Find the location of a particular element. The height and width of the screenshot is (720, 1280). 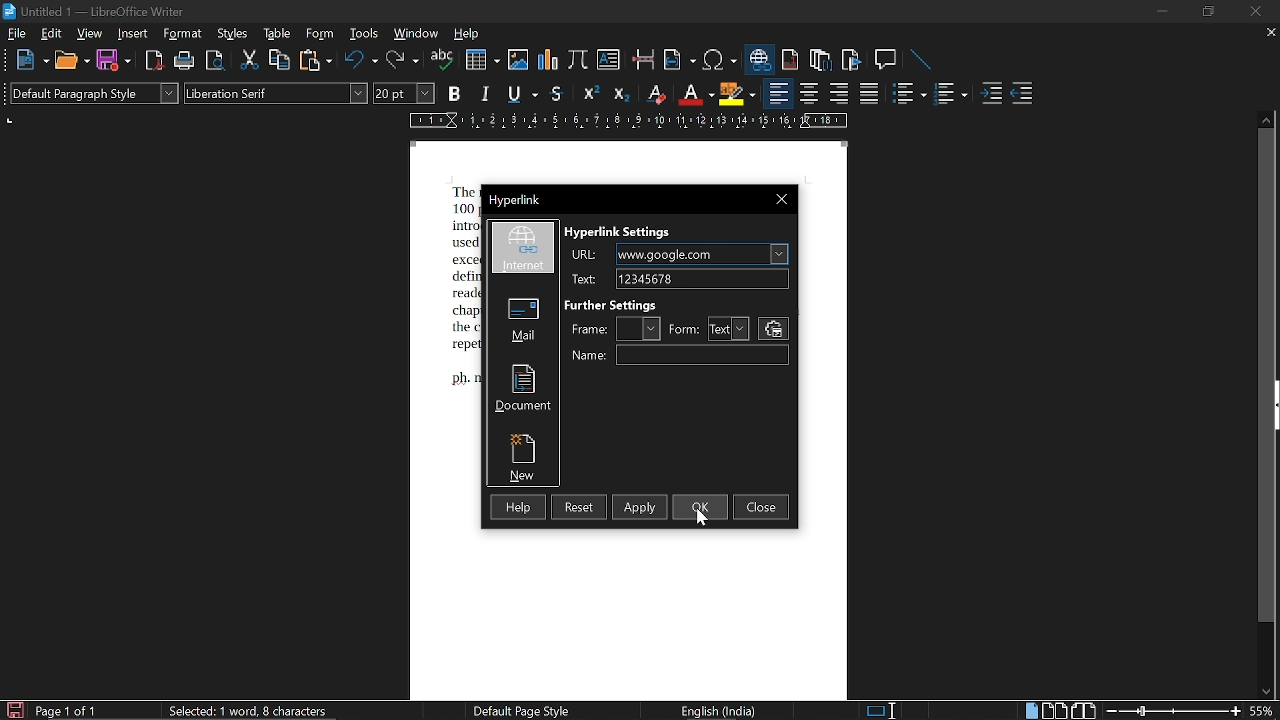

help is located at coordinates (466, 36).